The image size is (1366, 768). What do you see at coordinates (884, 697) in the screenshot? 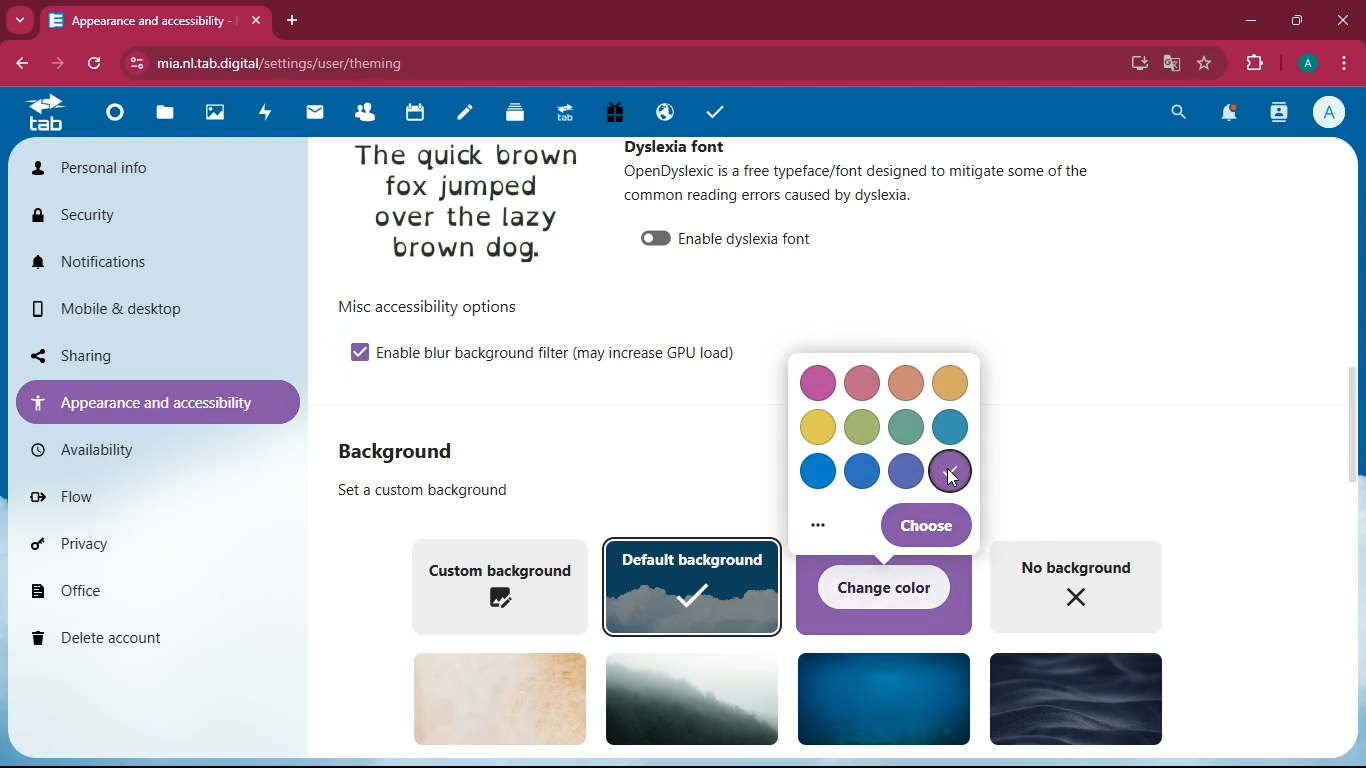
I see `background` at bounding box center [884, 697].